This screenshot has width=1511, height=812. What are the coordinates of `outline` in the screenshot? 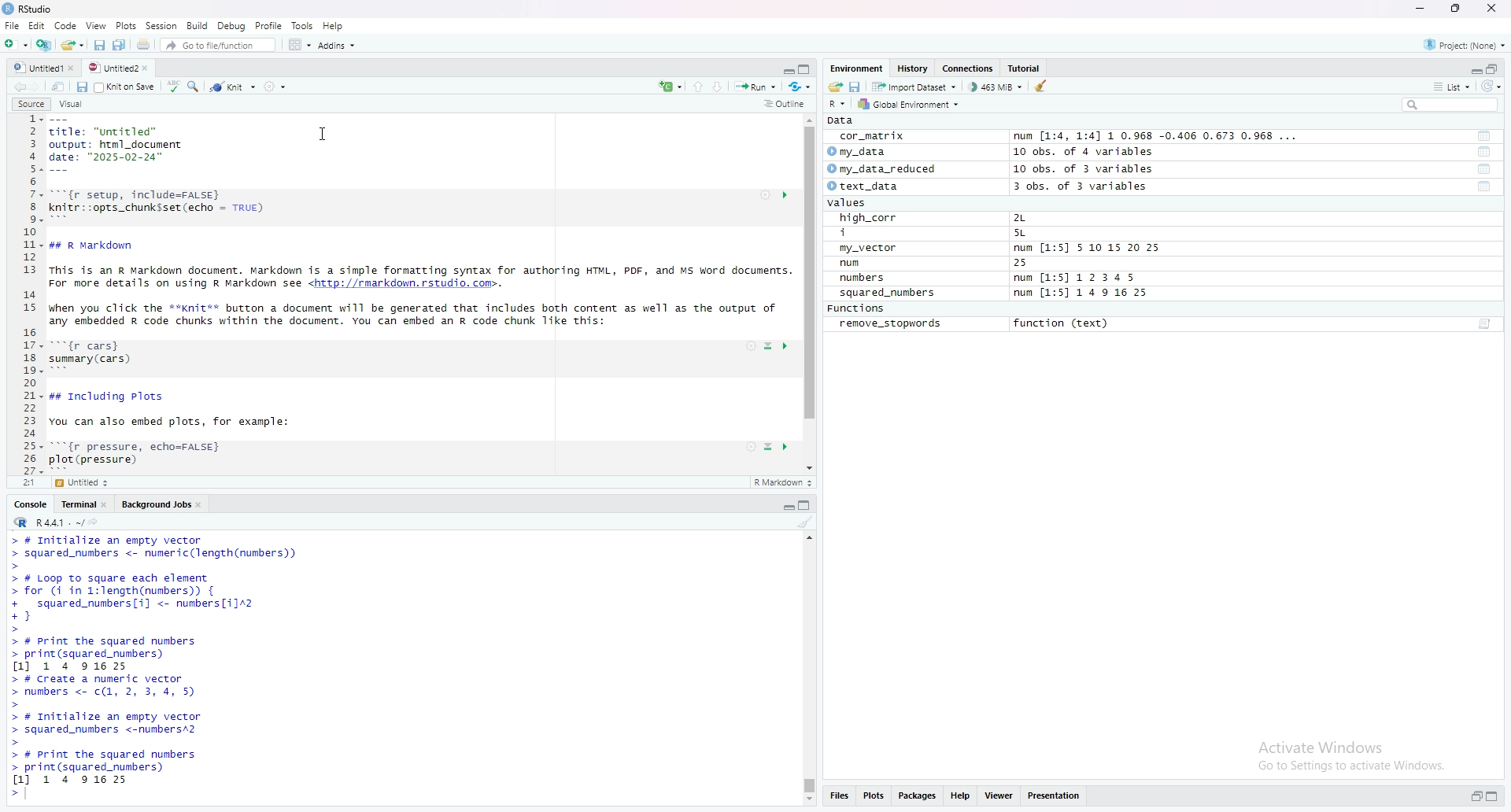 It's located at (787, 103).